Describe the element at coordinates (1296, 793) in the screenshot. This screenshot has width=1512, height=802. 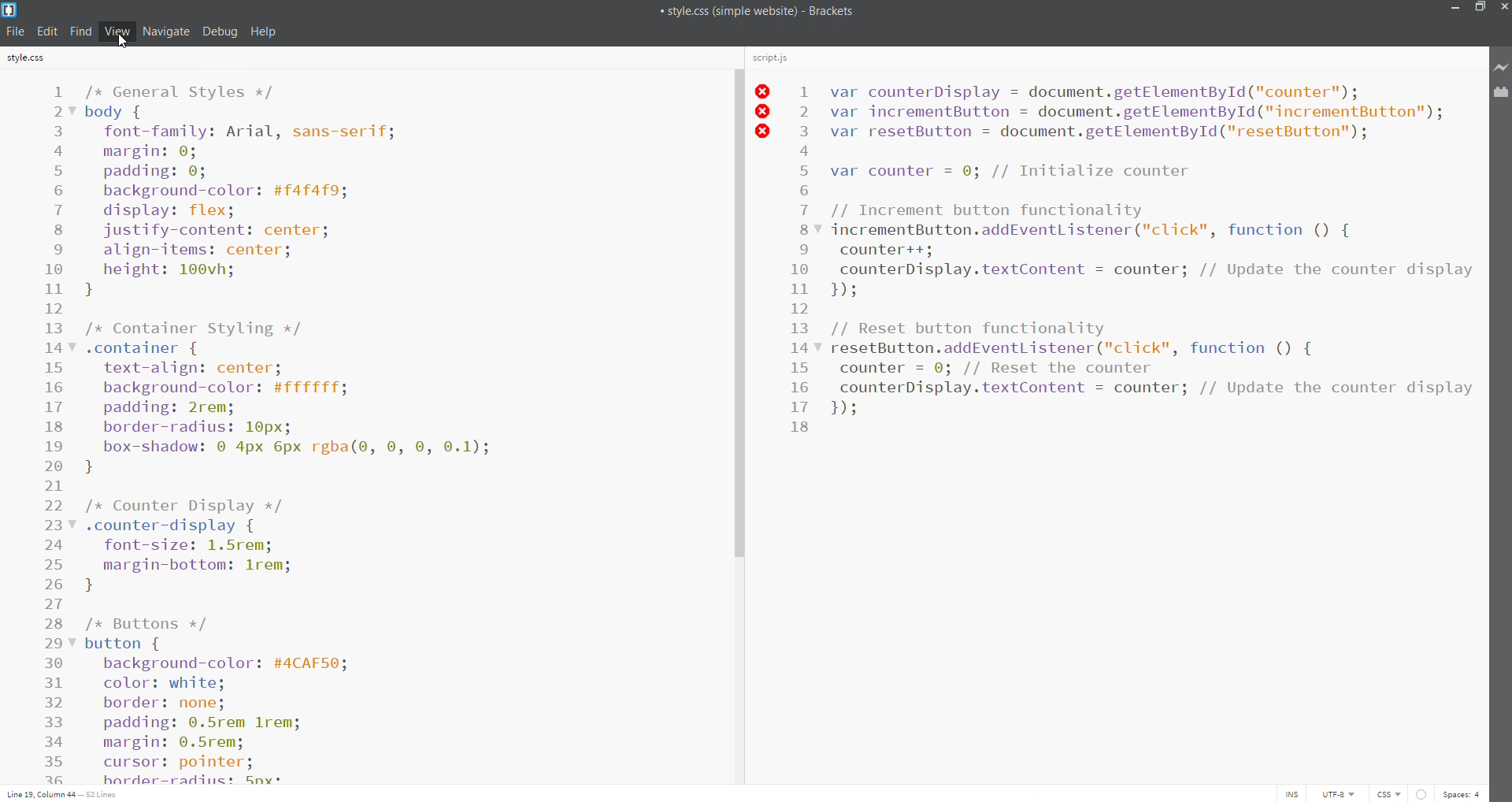
I see `toggle cursor` at that location.